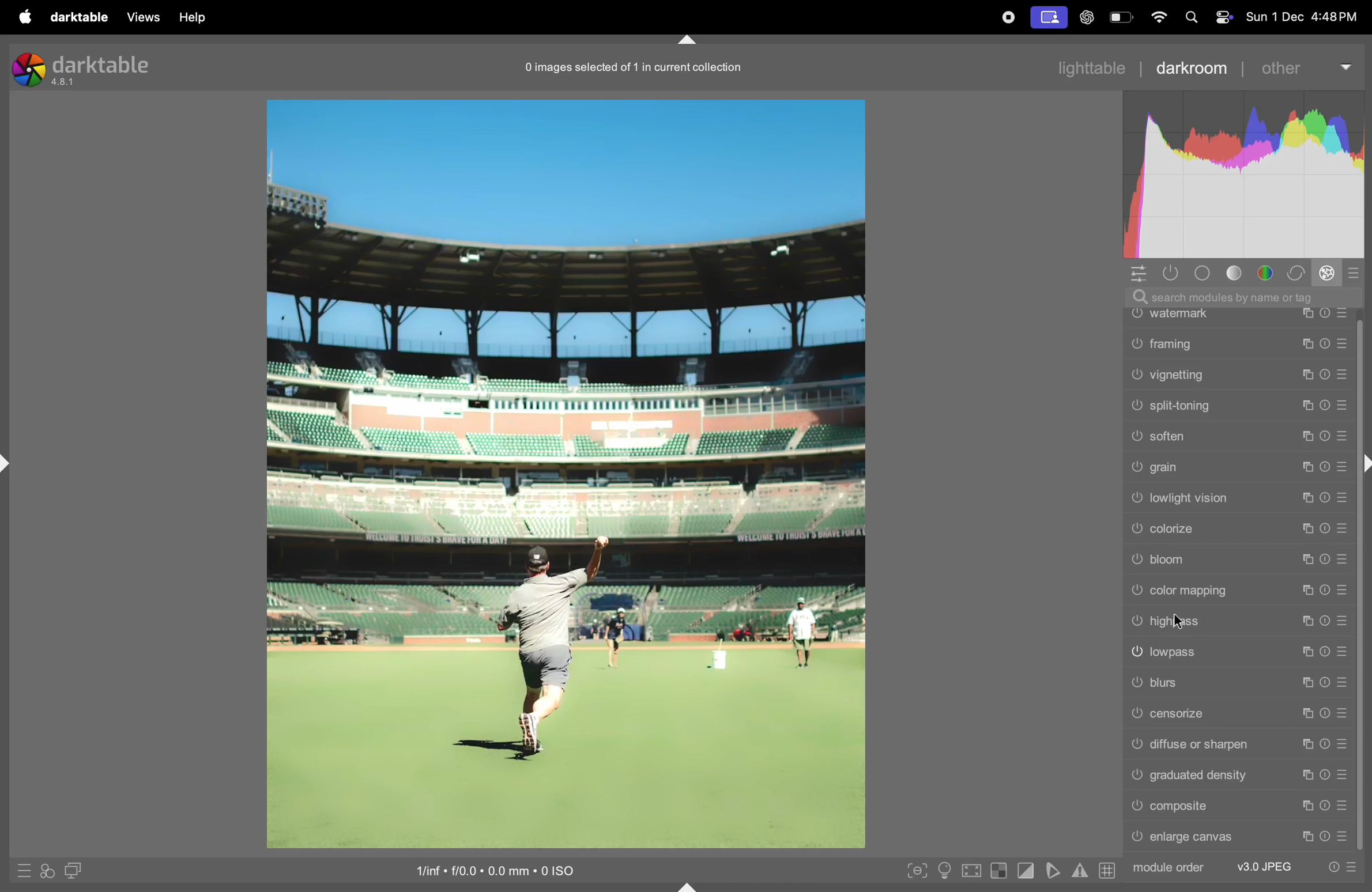 The width and height of the screenshot is (1372, 892). I want to click on darktable, so click(79, 17).